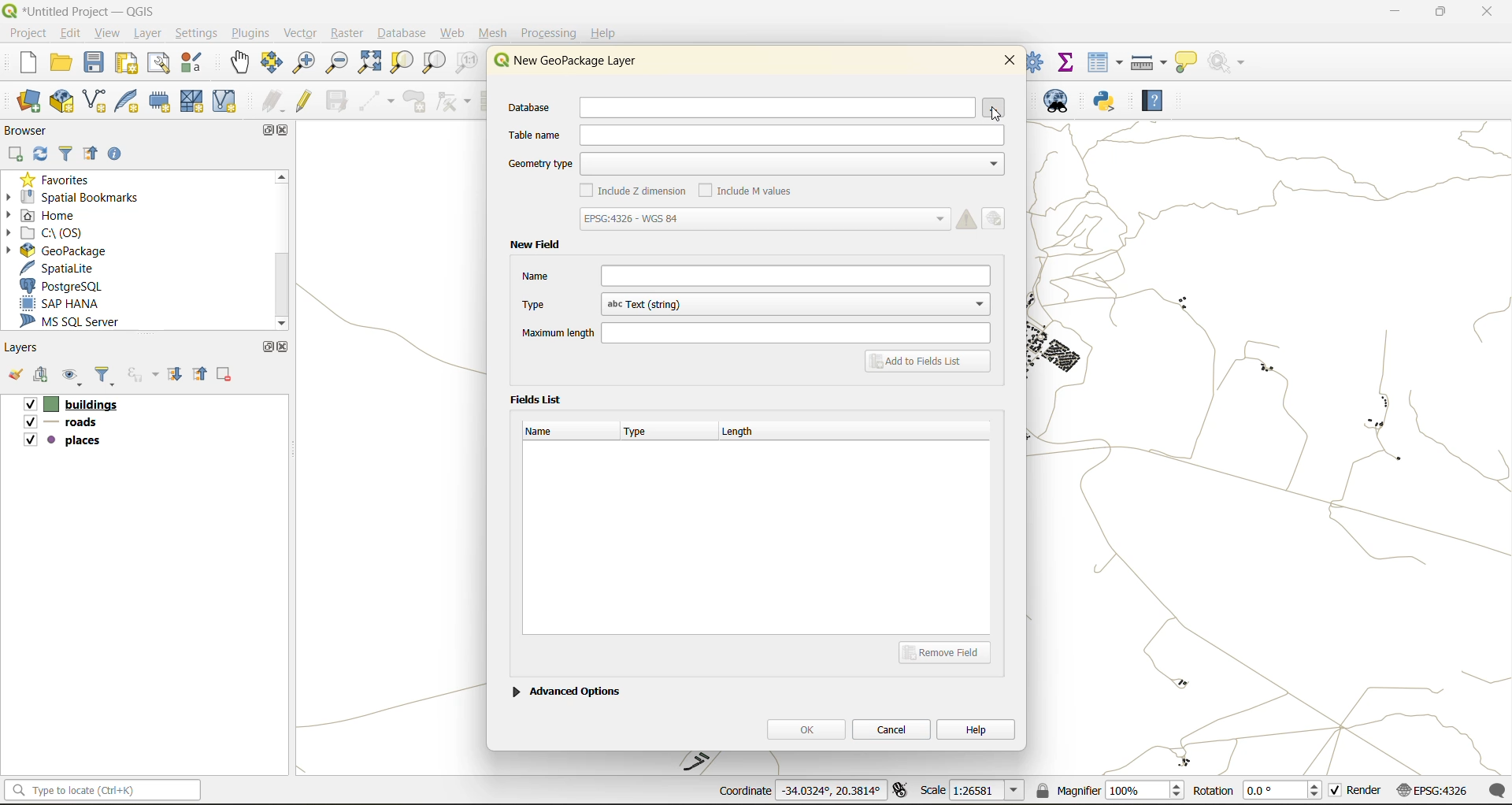 The image size is (1512, 805). Describe the element at coordinates (1067, 63) in the screenshot. I see `statistical summary` at that location.